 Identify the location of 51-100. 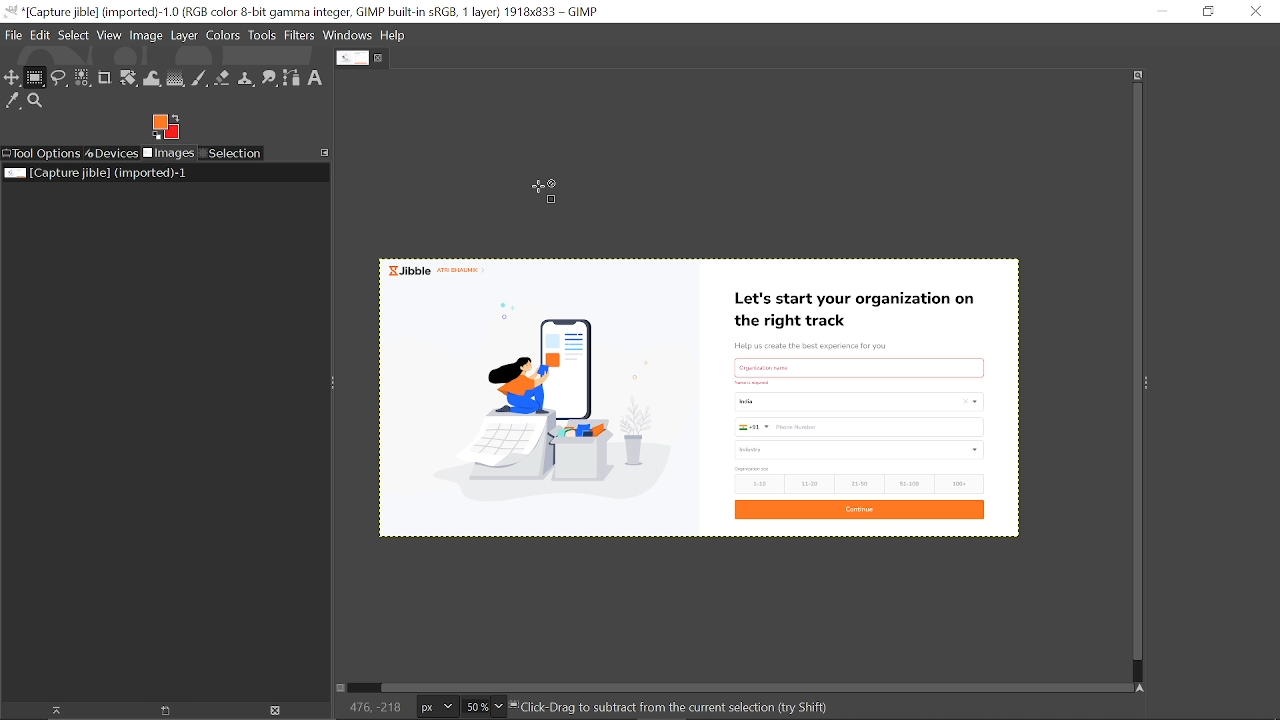
(907, 483).